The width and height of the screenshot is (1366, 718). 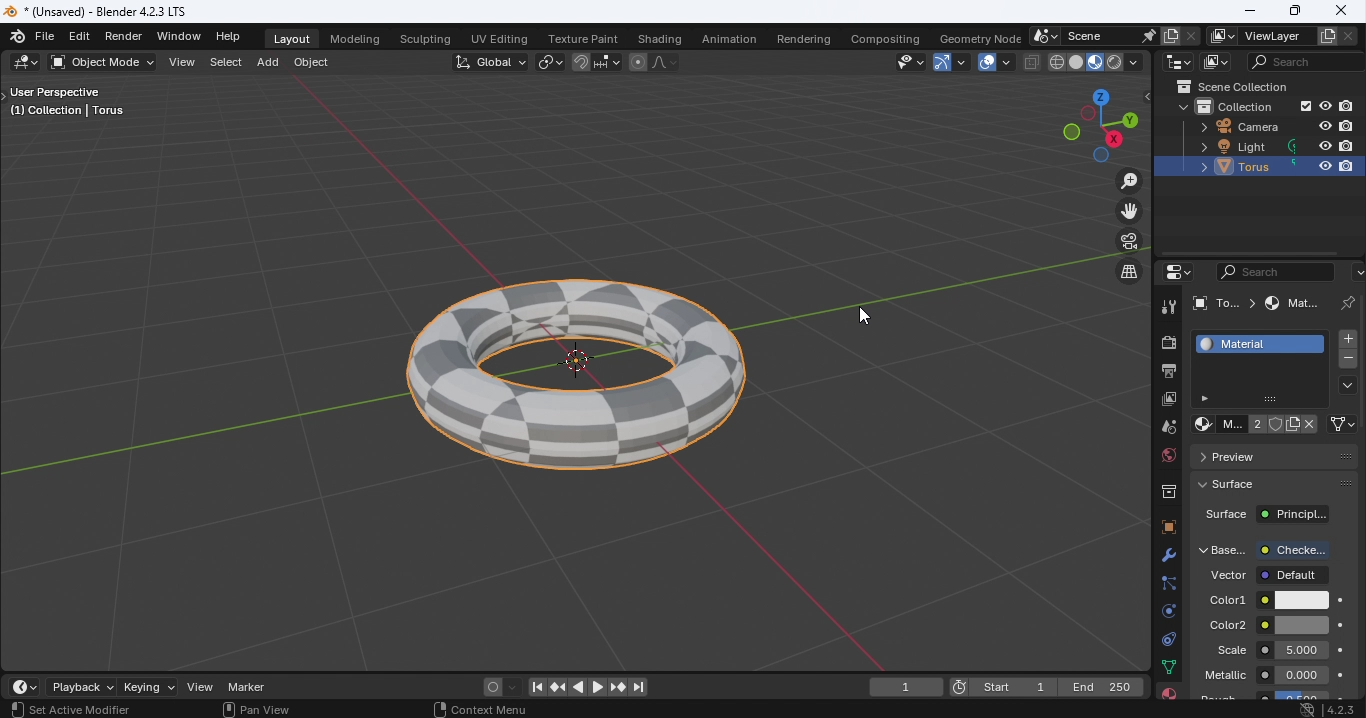 What do you see at coordinates (1347, 339) in the screenshot?
I see `Add material slot` at bounding box center [1347, 339].